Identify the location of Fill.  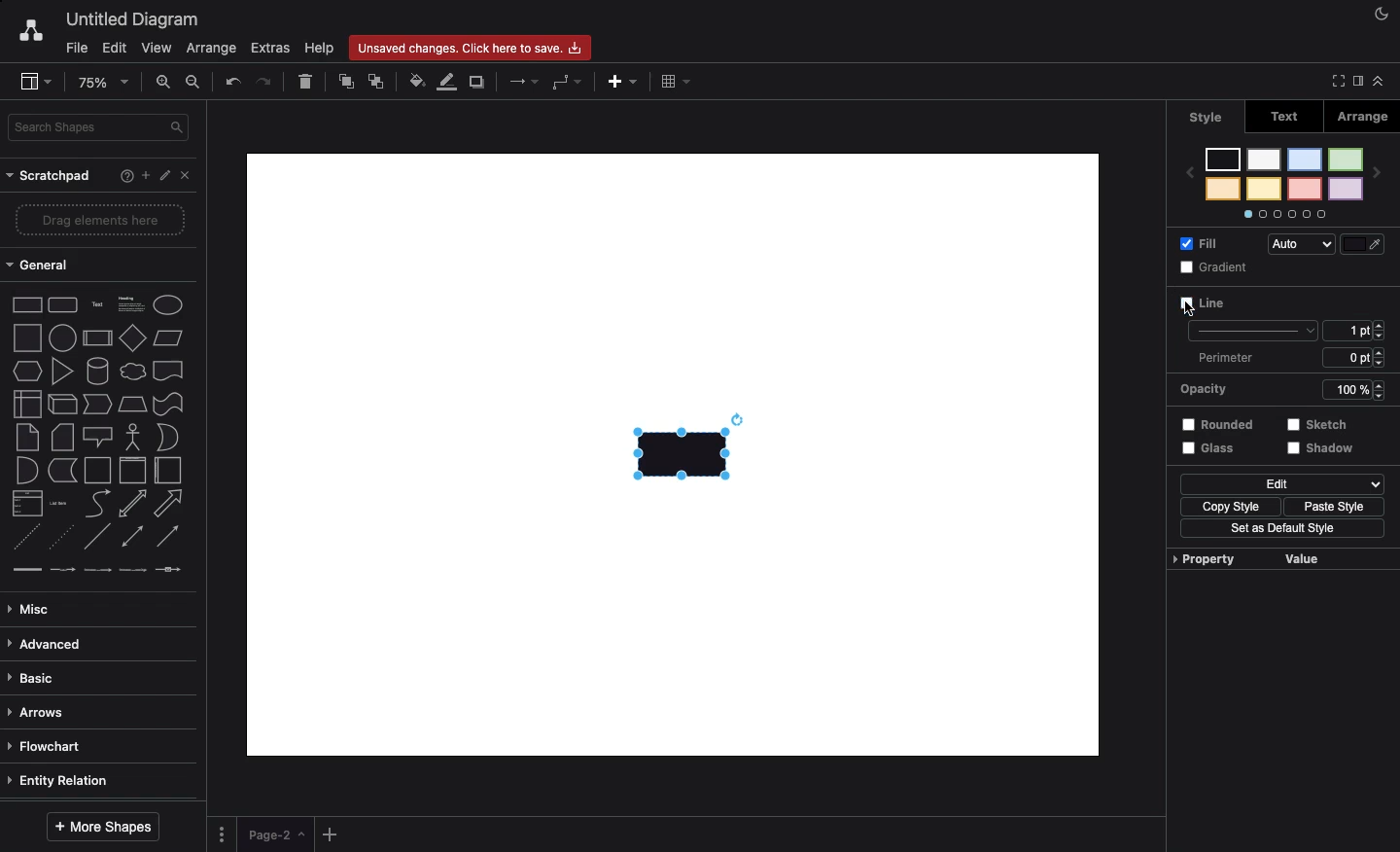
(1201, 243).